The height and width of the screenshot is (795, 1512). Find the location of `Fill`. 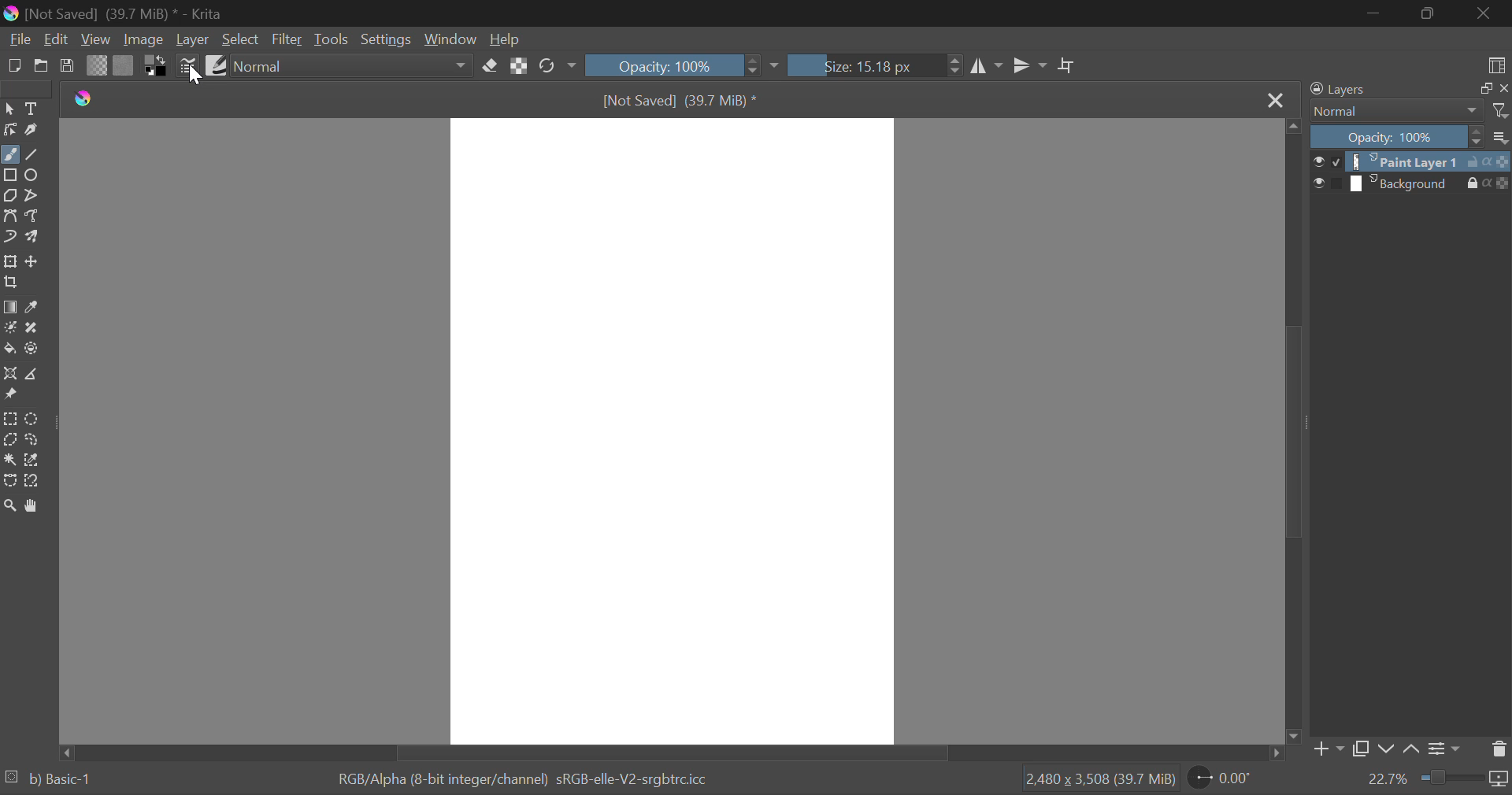

Fill is located at coordinates (10, 349).